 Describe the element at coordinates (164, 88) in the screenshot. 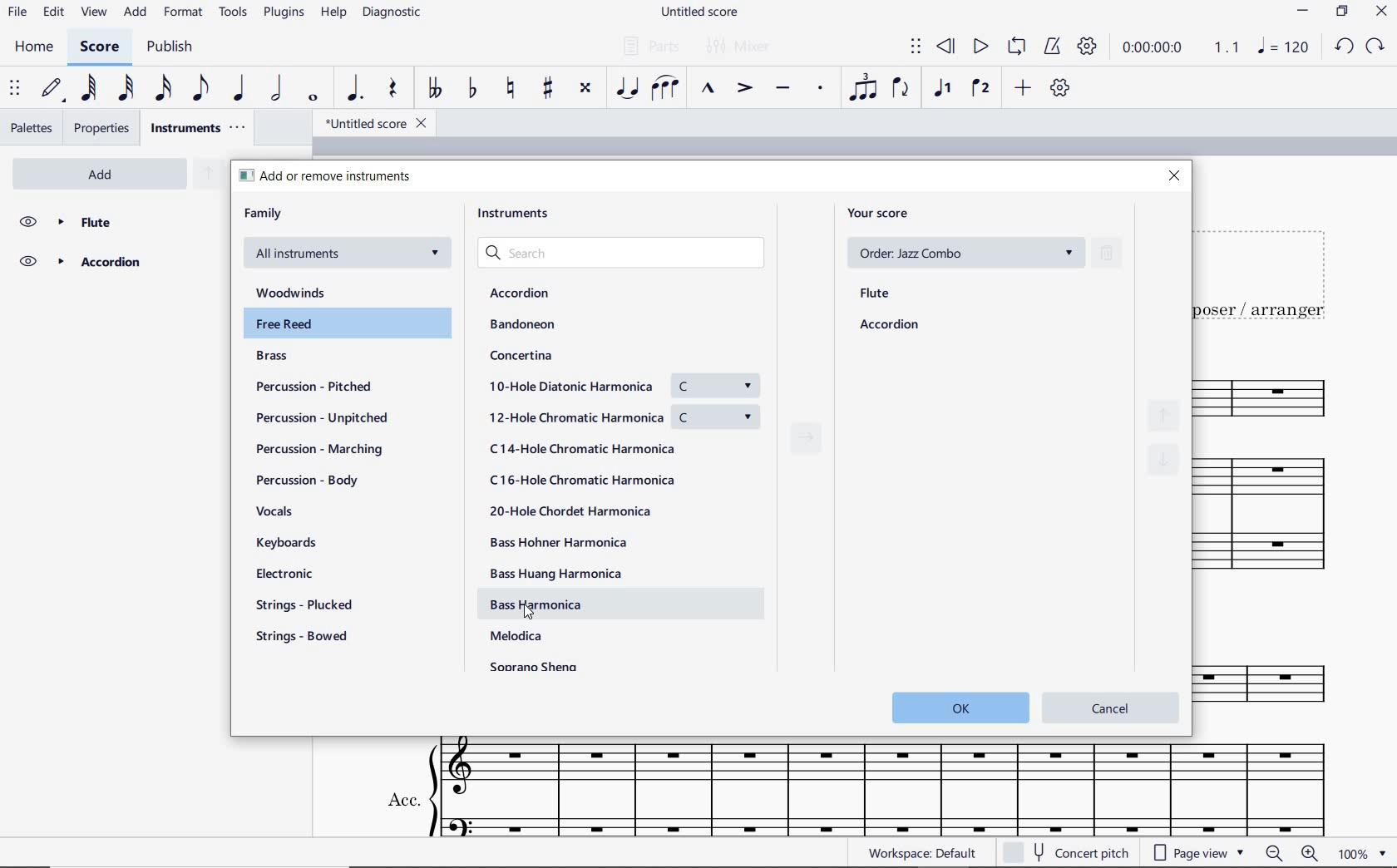

I see `16th note` at that location.